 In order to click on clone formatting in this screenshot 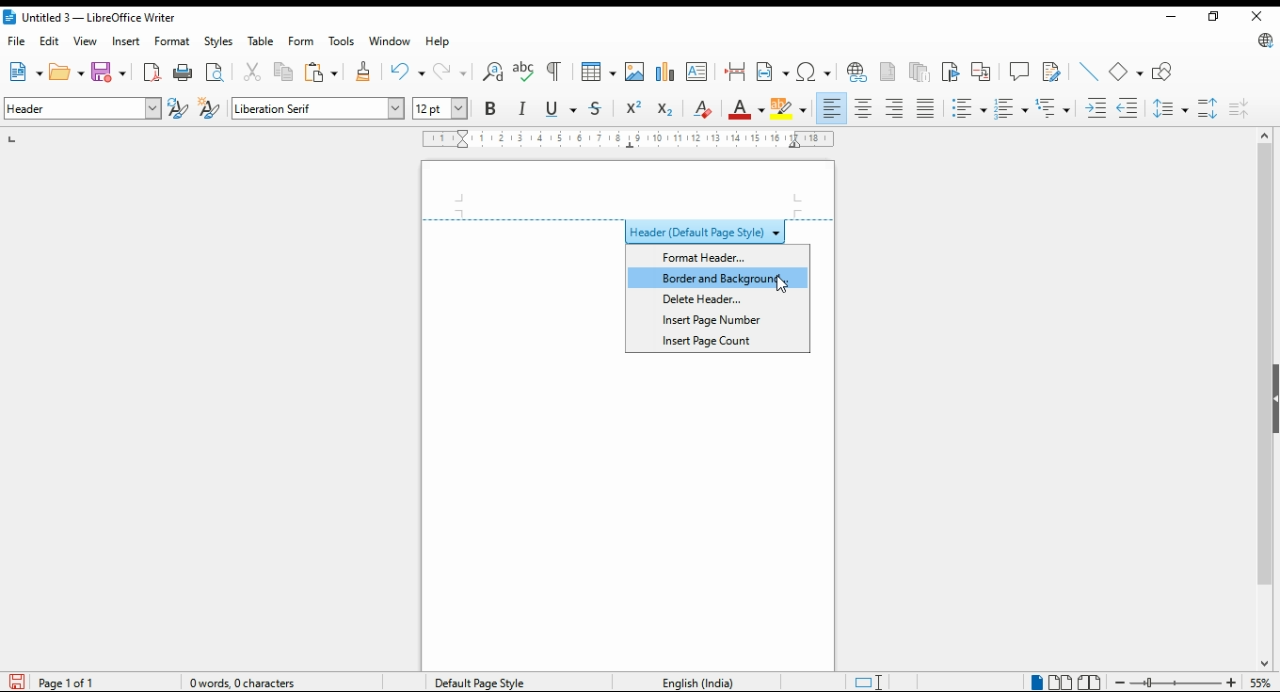, I will do `click(362, 72)`.